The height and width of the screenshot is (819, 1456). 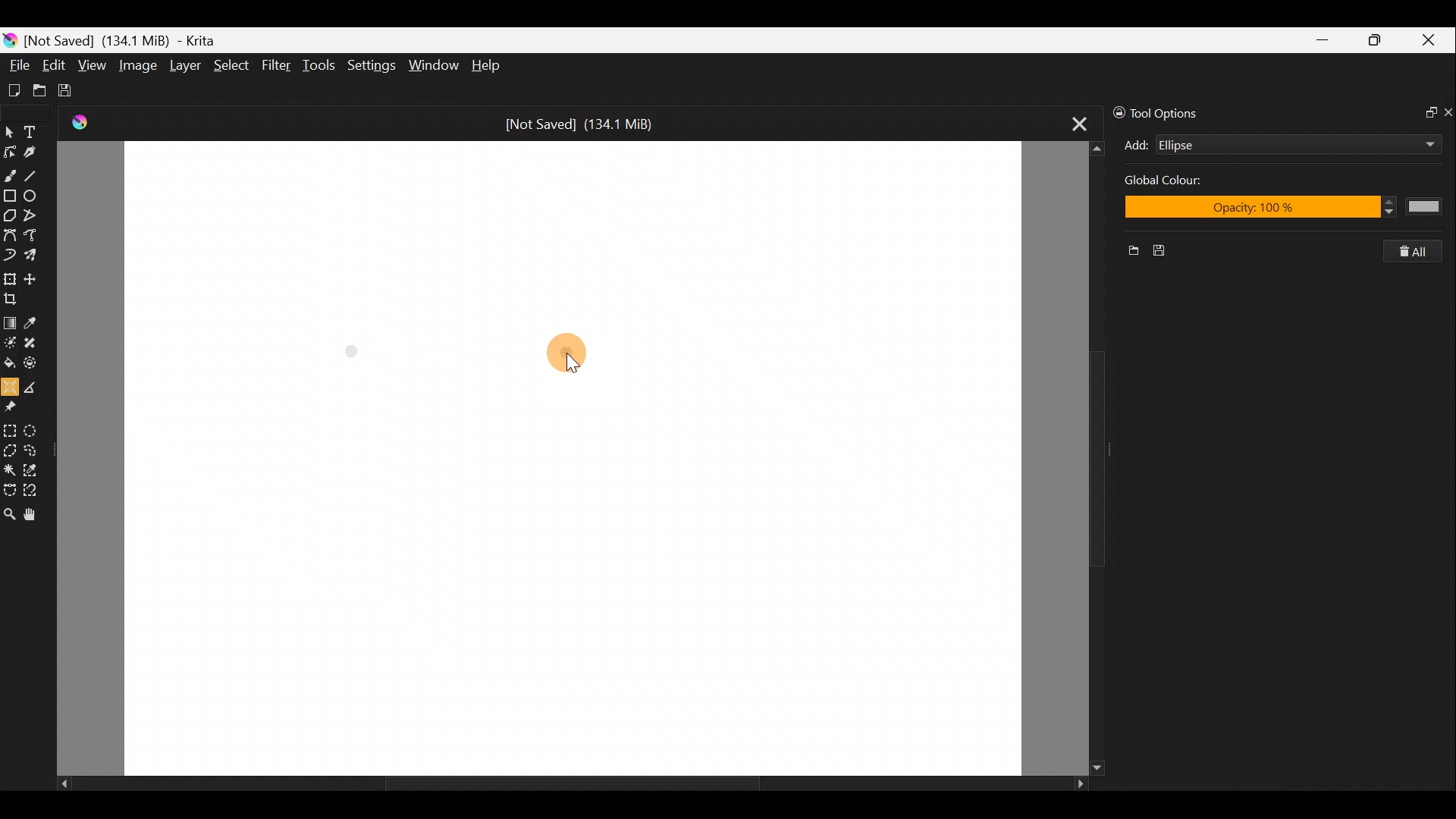 I want to click on [Not Saved] (134.1 MiB), so click(x=587, y=122).